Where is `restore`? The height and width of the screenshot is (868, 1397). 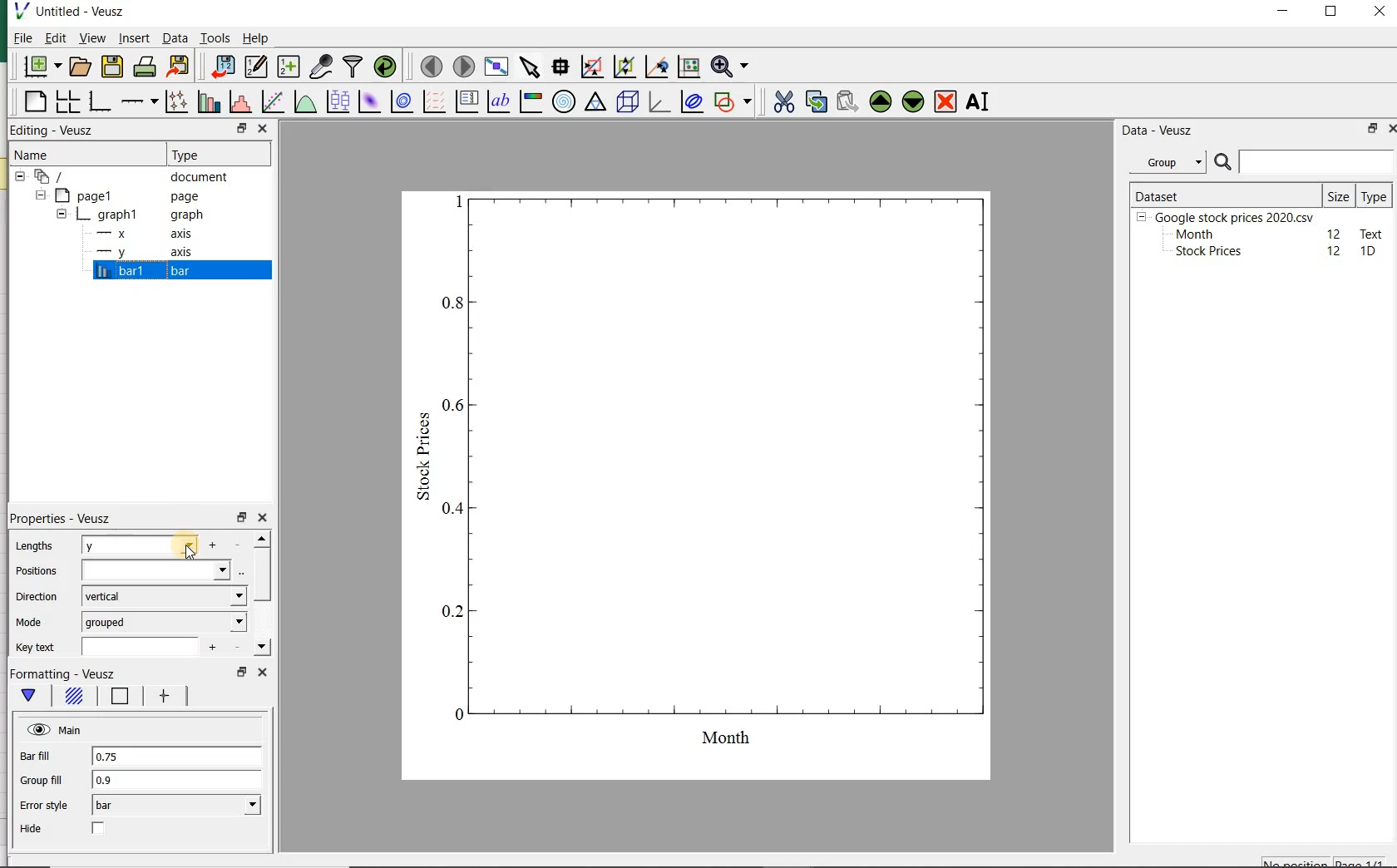
restore is located at coordinates (240, 672).